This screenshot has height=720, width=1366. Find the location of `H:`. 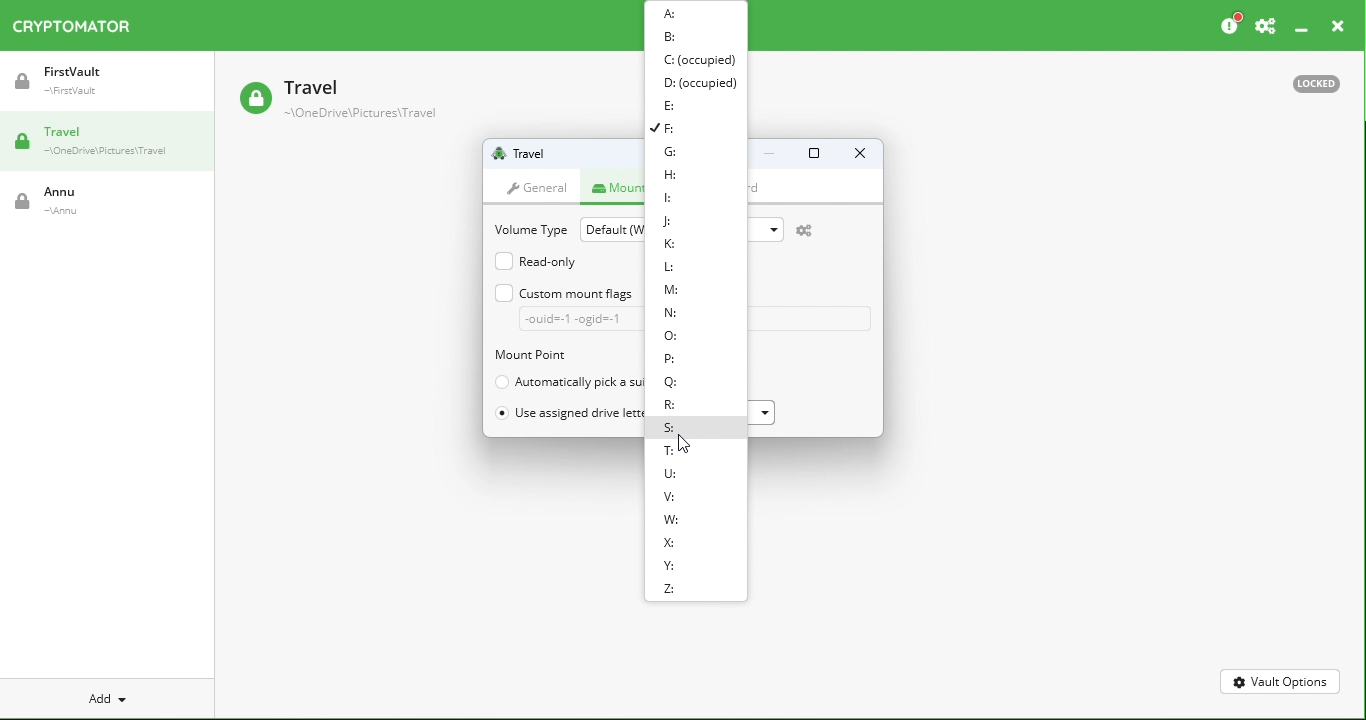

H: is located at coordinates (669, 175).